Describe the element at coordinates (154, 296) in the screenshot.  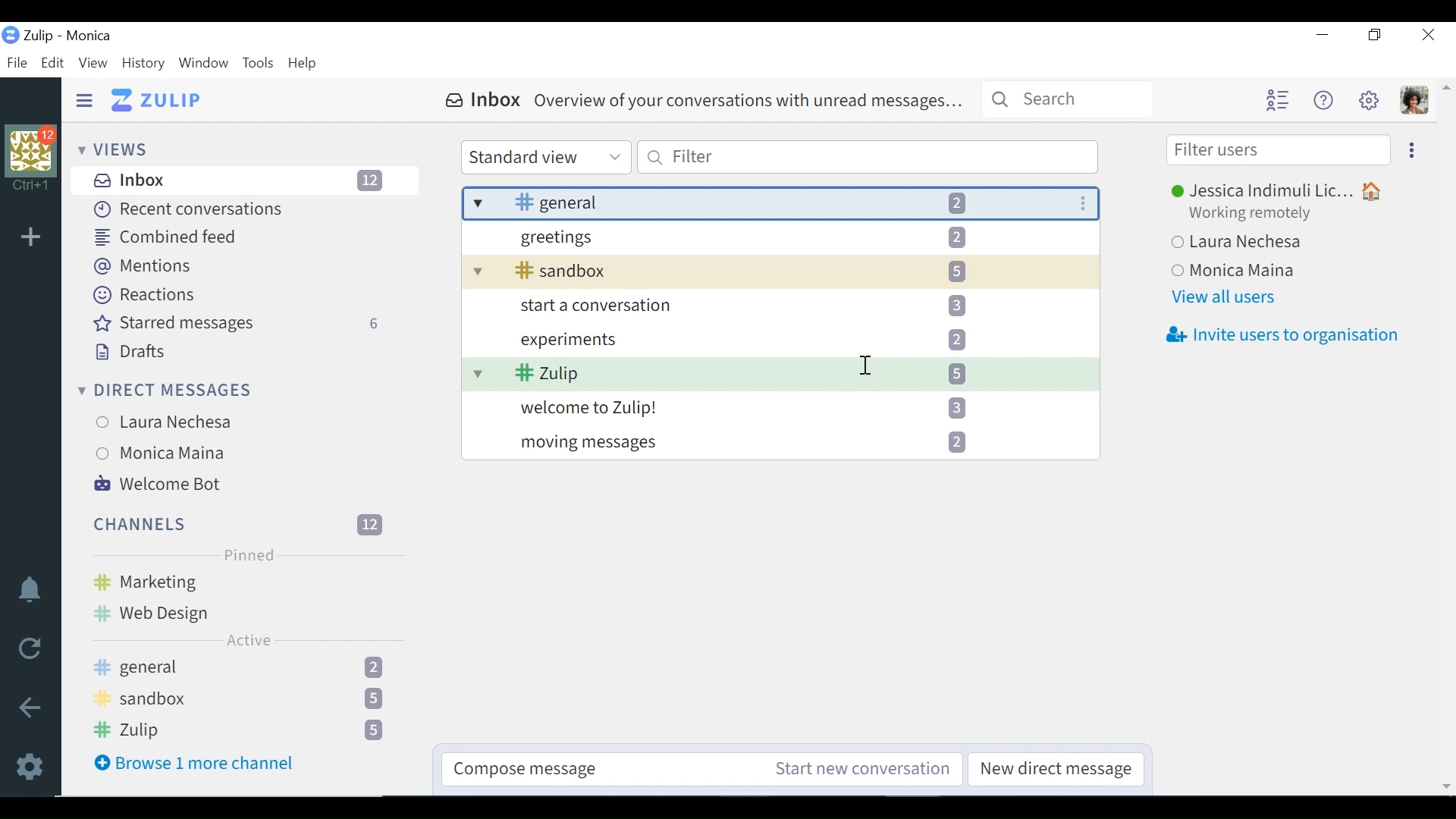
I see `Reactions` at that location.